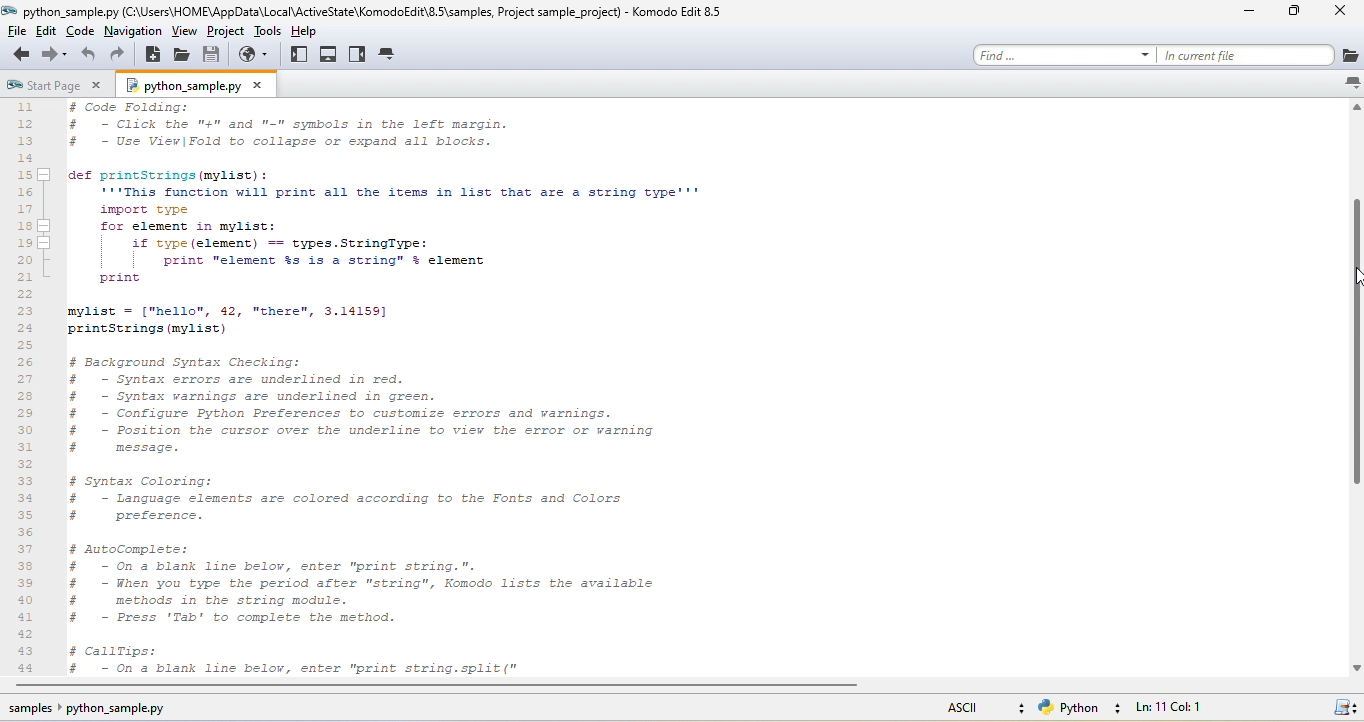 This screenshot has height=722, width=1364. What do you see at coordinates (1349, 709) in the screenshot?
I see `icon` at bounding box center [1349, 709].